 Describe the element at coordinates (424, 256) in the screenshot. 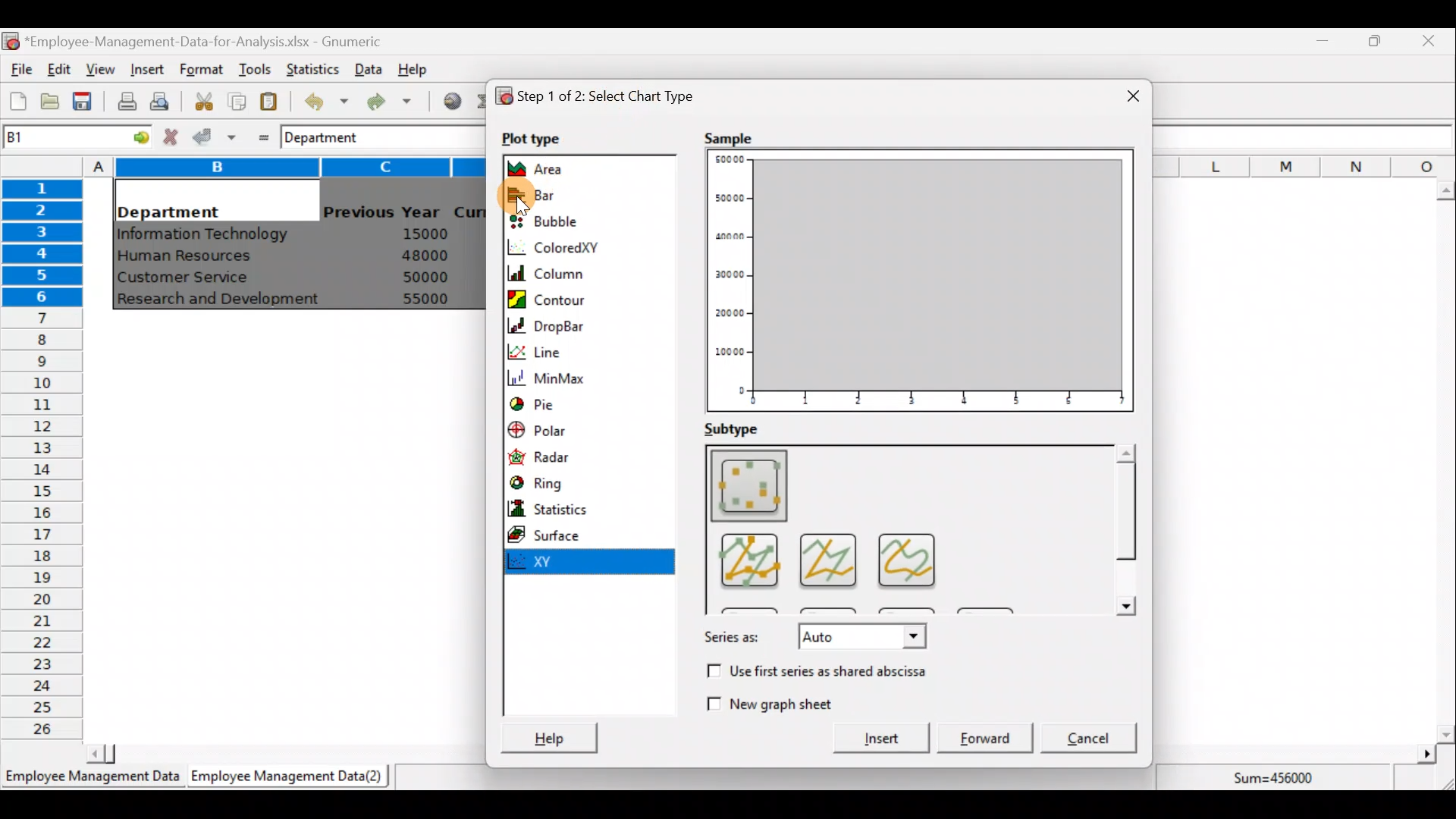

I see `48000` at that location.